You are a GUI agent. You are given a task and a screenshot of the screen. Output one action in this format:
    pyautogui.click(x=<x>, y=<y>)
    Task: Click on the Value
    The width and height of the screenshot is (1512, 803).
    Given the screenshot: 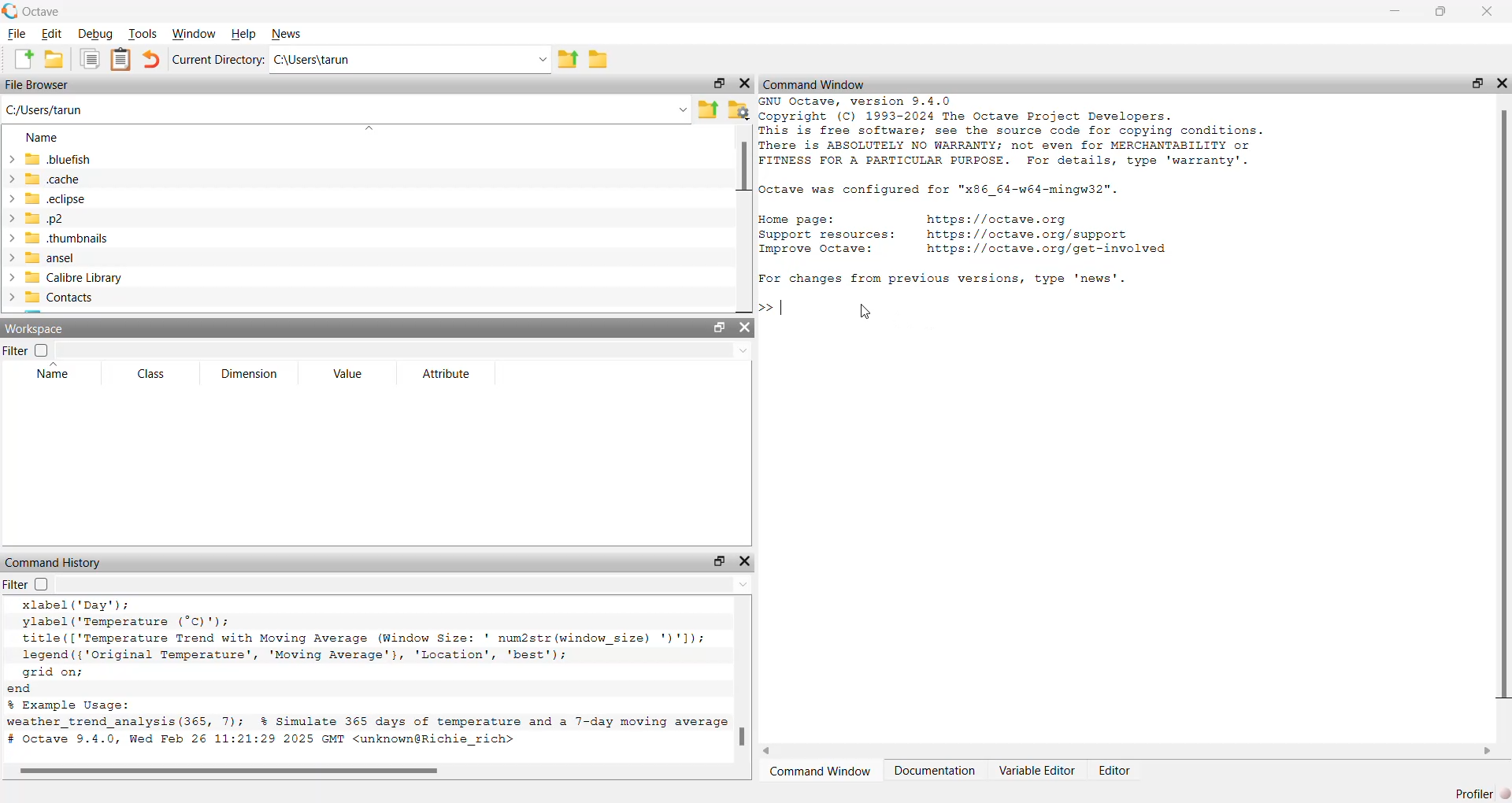 What is the action you would take?
    pyautogui.click(x=346, y=375)
    